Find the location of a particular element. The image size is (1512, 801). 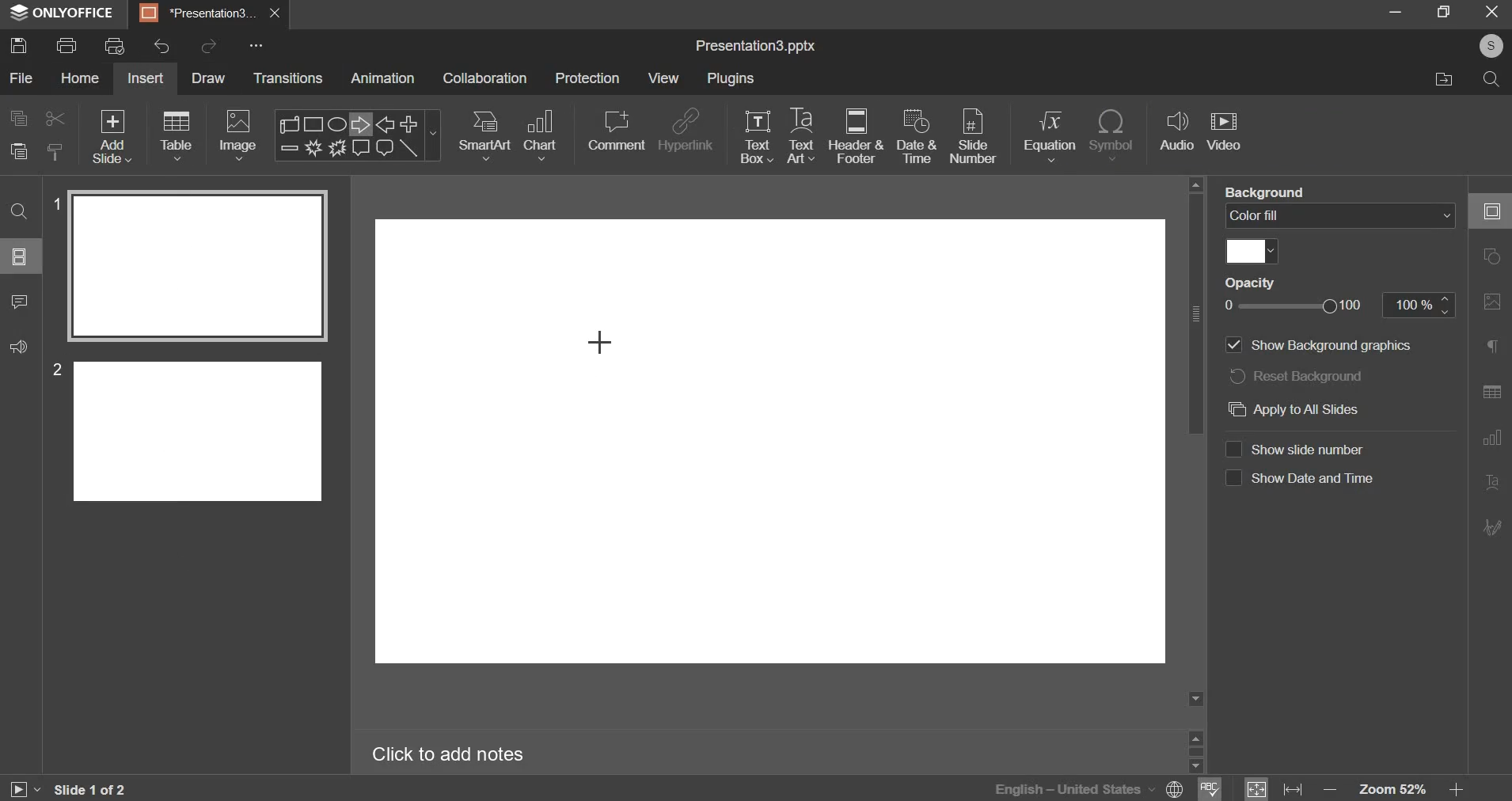

apply to all slides is located at coordinates (1321, 410).